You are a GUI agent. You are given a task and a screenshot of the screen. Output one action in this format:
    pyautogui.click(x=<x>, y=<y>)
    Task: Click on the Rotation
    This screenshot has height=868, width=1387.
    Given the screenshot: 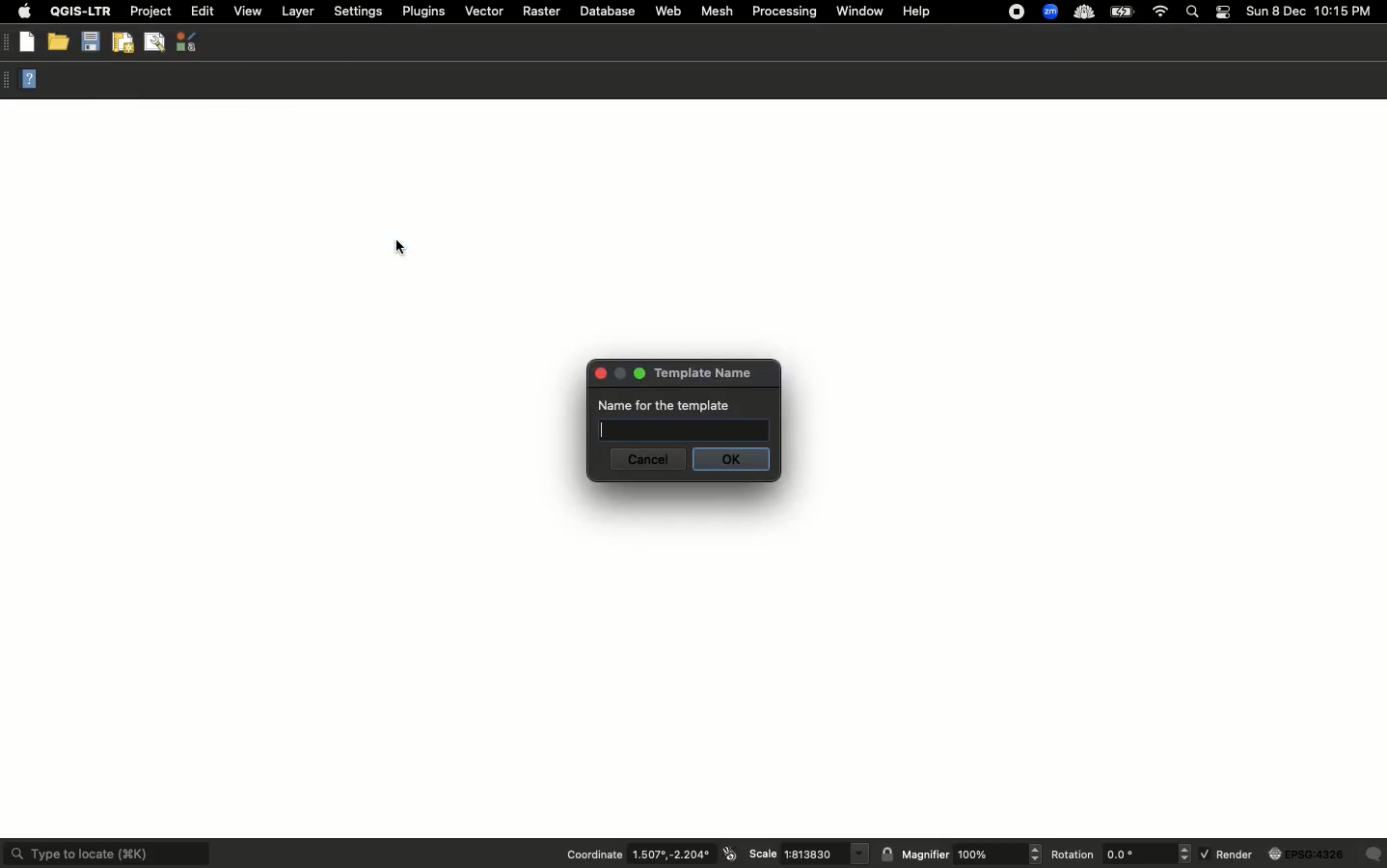 What is the action you would take?
    pyautogui.click(x=1072, y=855)
    